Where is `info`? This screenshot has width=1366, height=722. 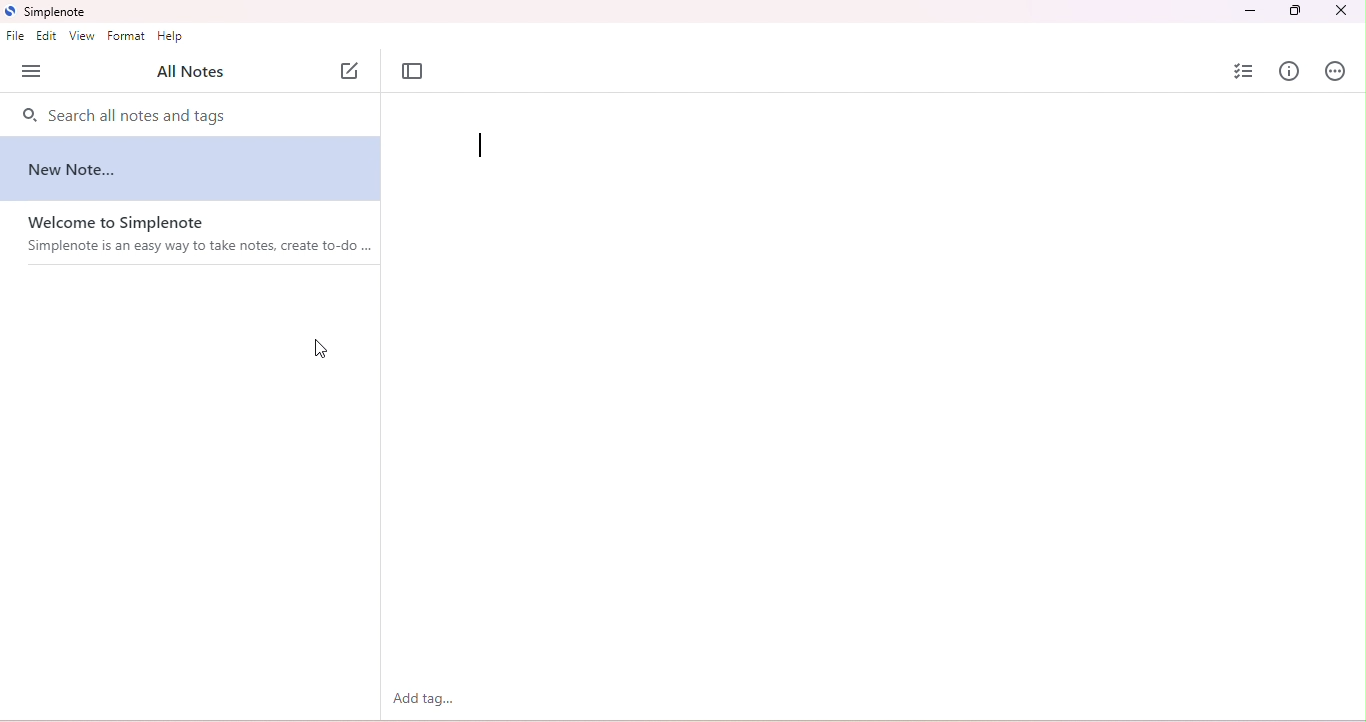 info is located at coordinates (1293, 70).